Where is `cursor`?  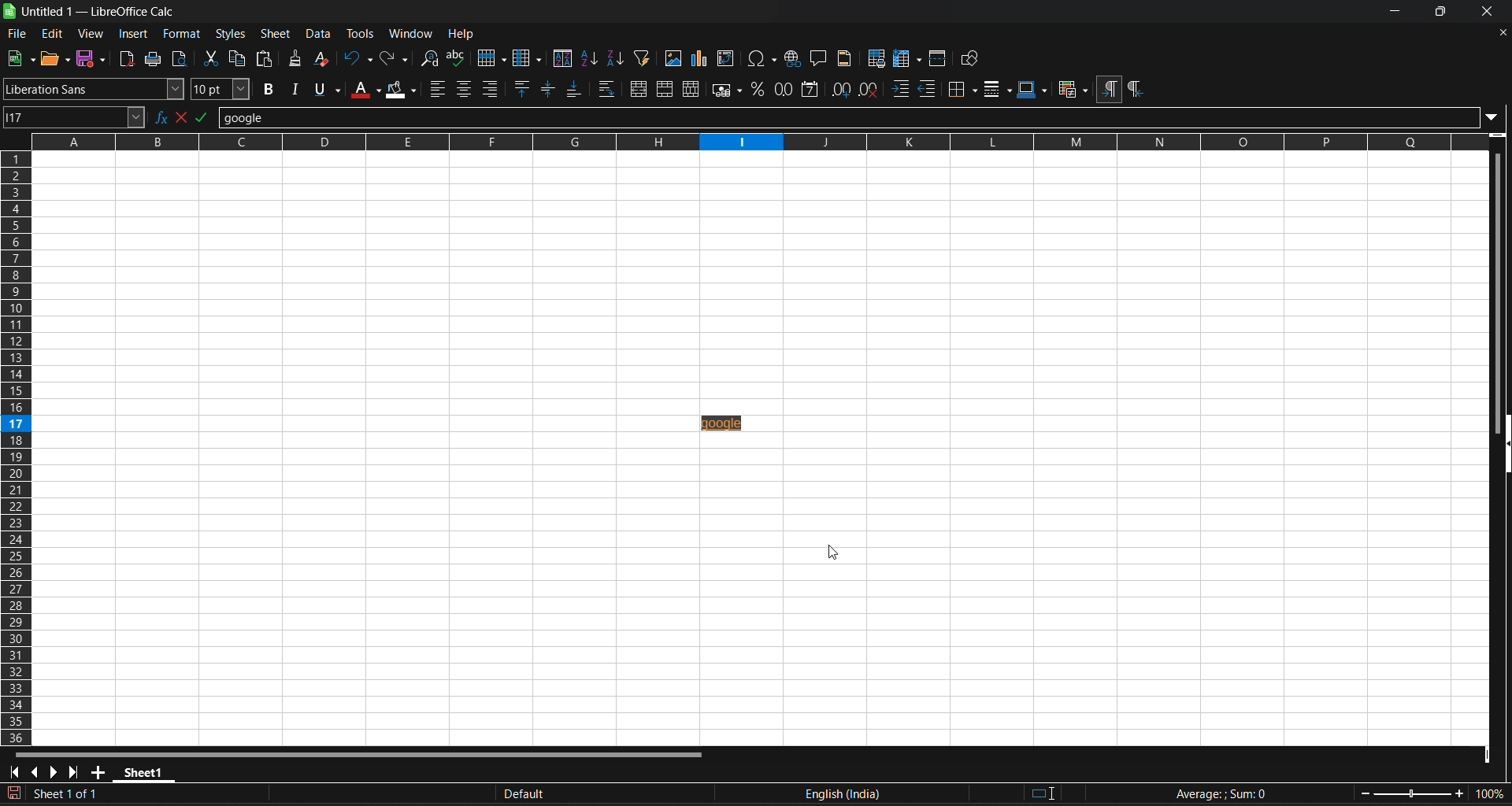 cursor is located at coordinates (837, 556).